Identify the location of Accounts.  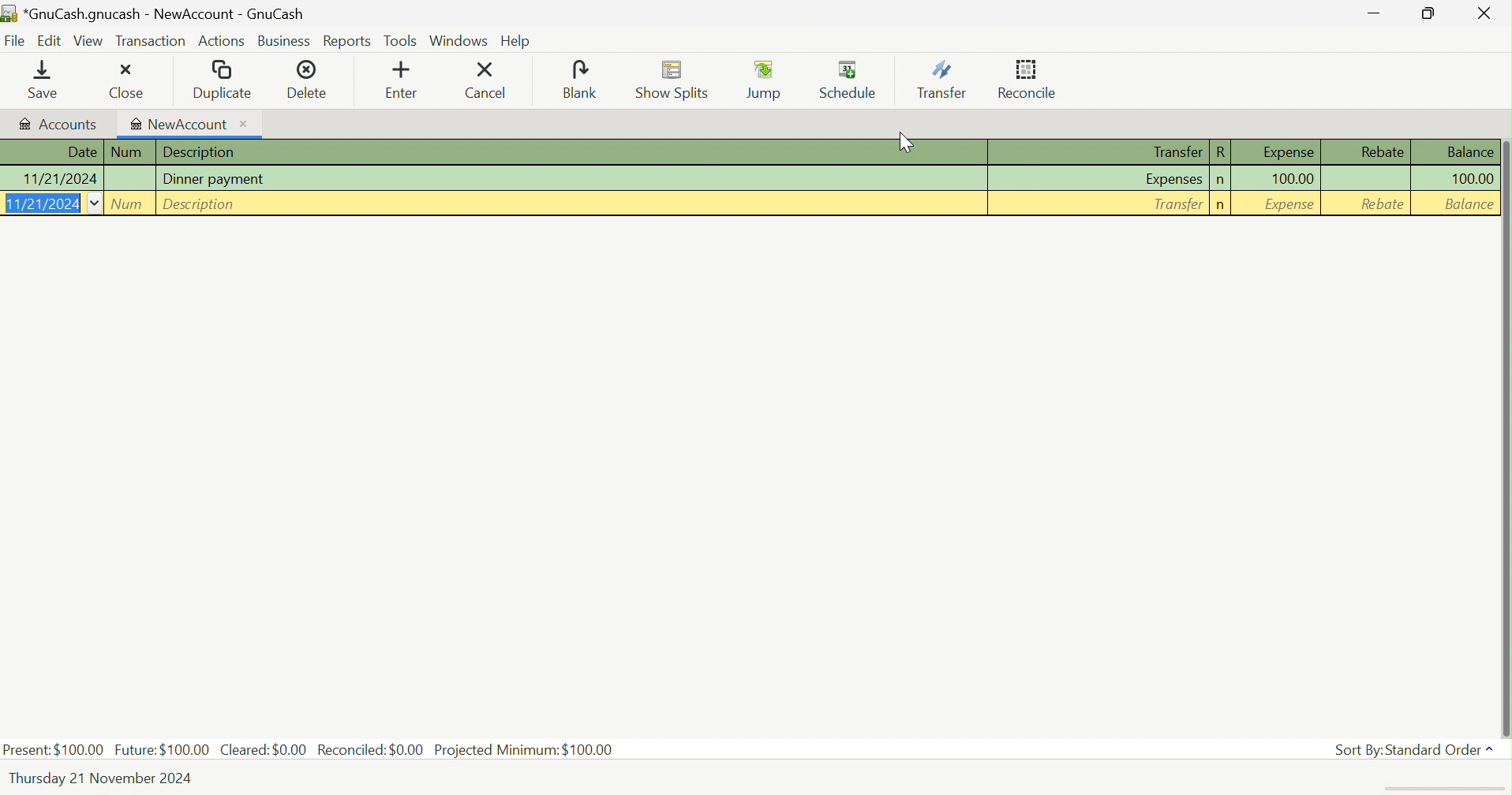
(58, 122).